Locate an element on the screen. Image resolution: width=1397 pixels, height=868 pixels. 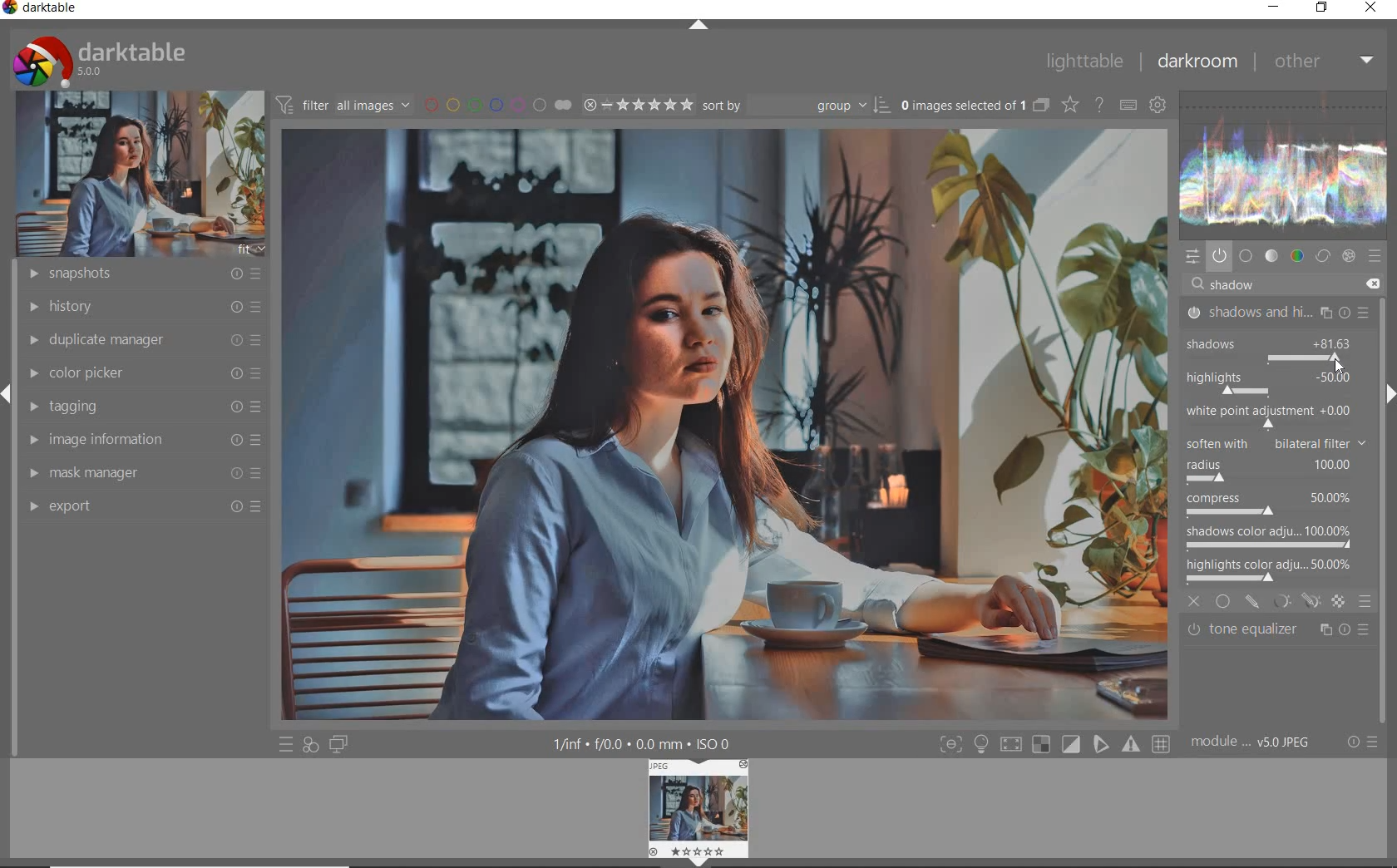
darktable is located at coordinates (129, 60).